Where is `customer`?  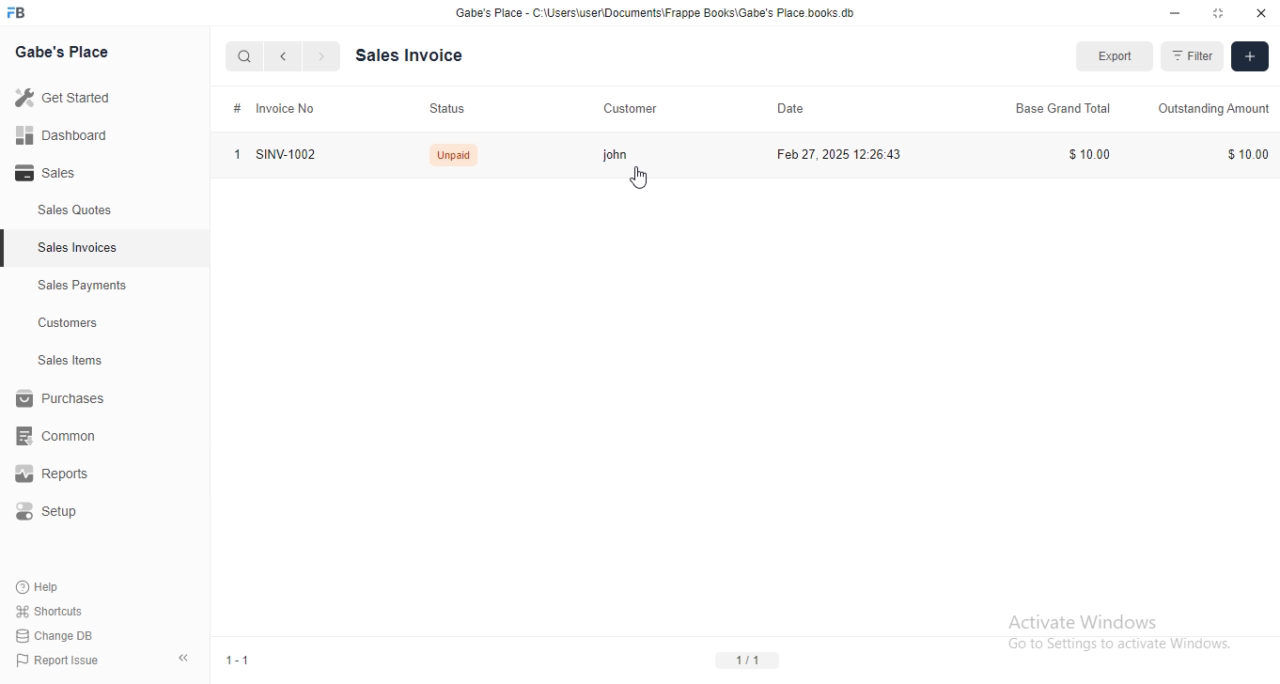
customer is located at coordinates (631, 108).